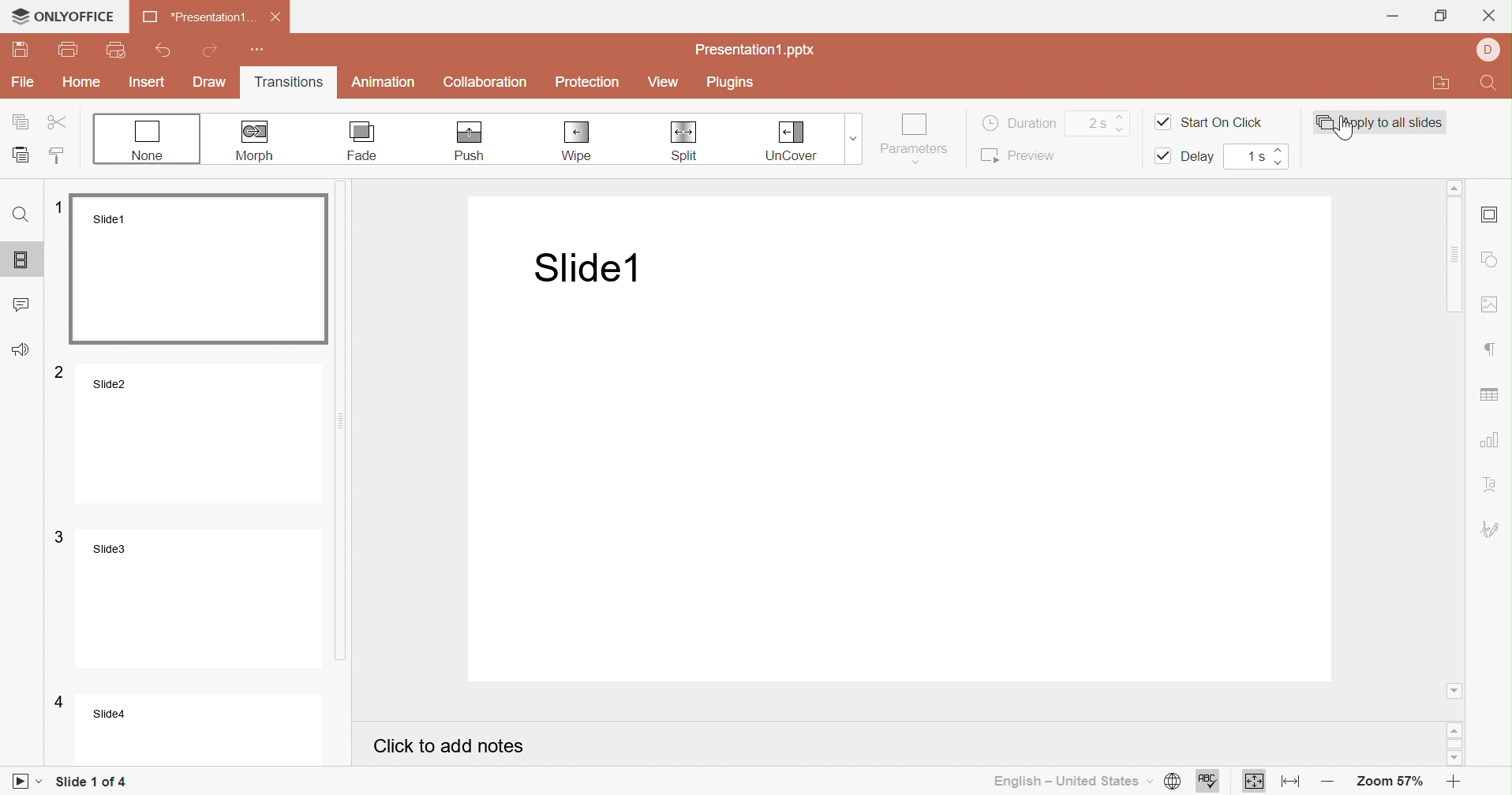 The height and width of the screenshot is (795, 1512). What do you see at coordinates (1489, 15) in the screenshot?
I see `Close` at bounding box center [1489, 15].